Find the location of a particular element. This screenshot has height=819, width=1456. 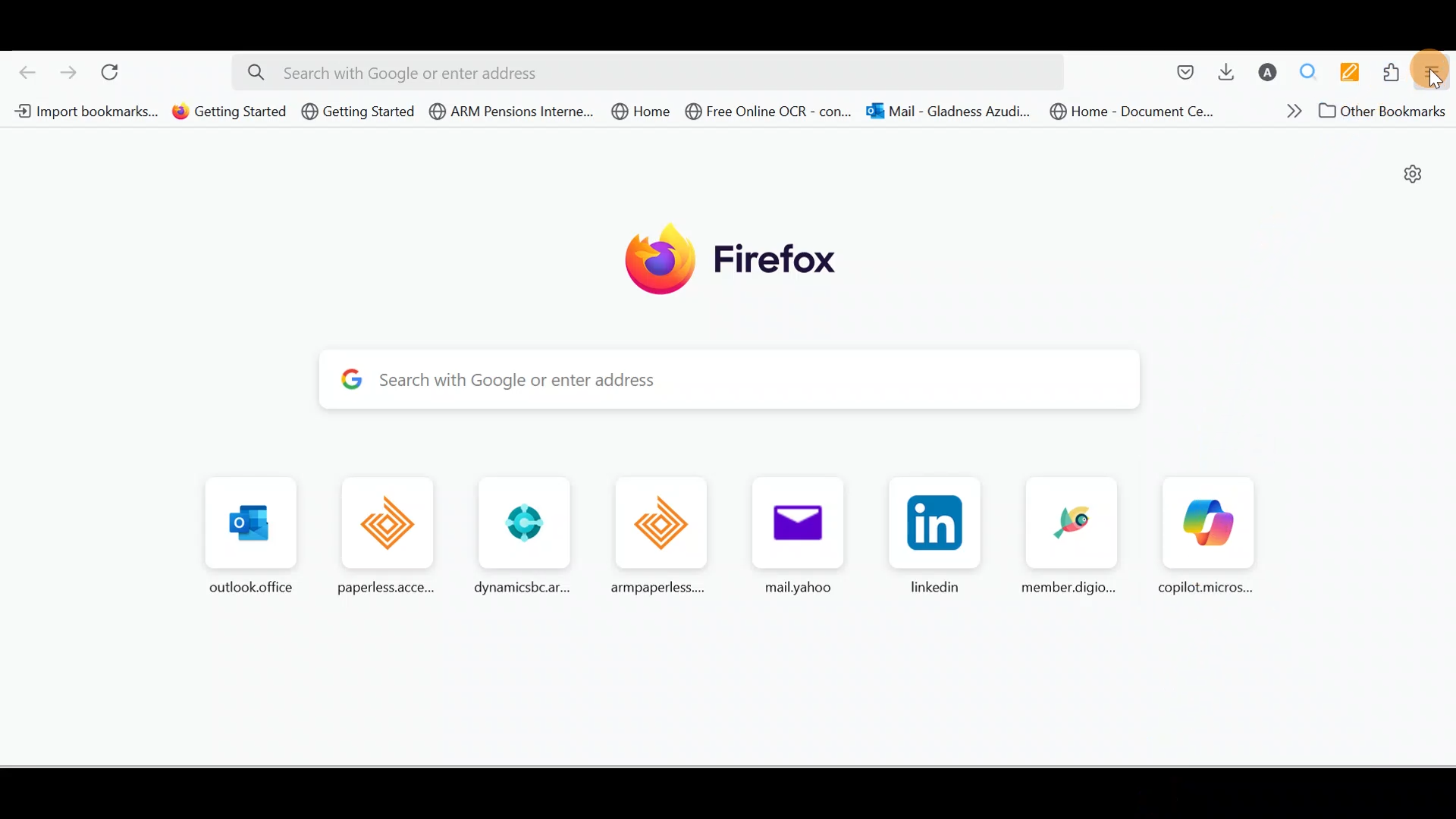

cursor is located at coordinates (1436, 80).